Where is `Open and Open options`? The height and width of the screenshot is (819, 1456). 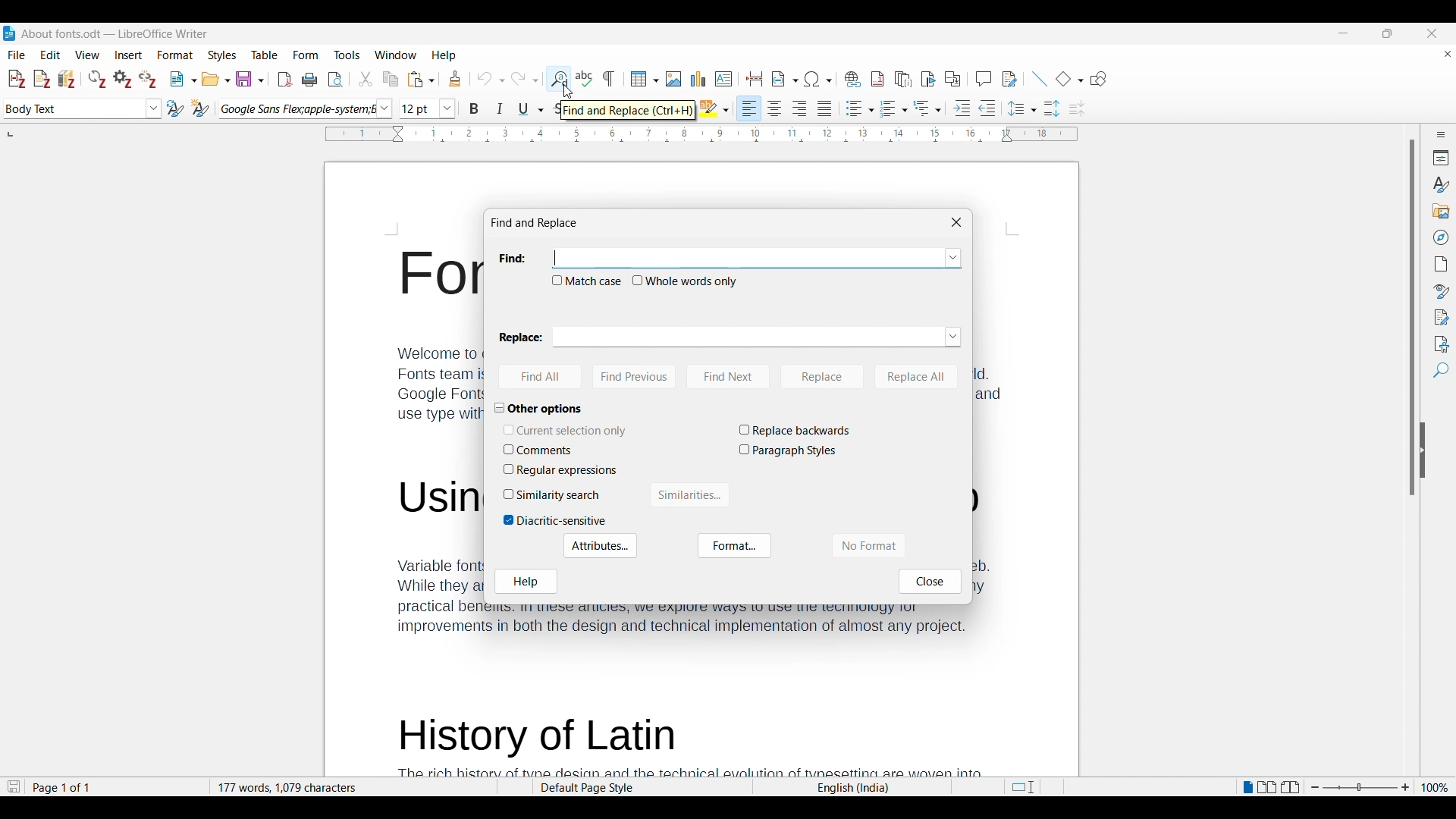 Open and Open options is located at coordinates (216, 80).